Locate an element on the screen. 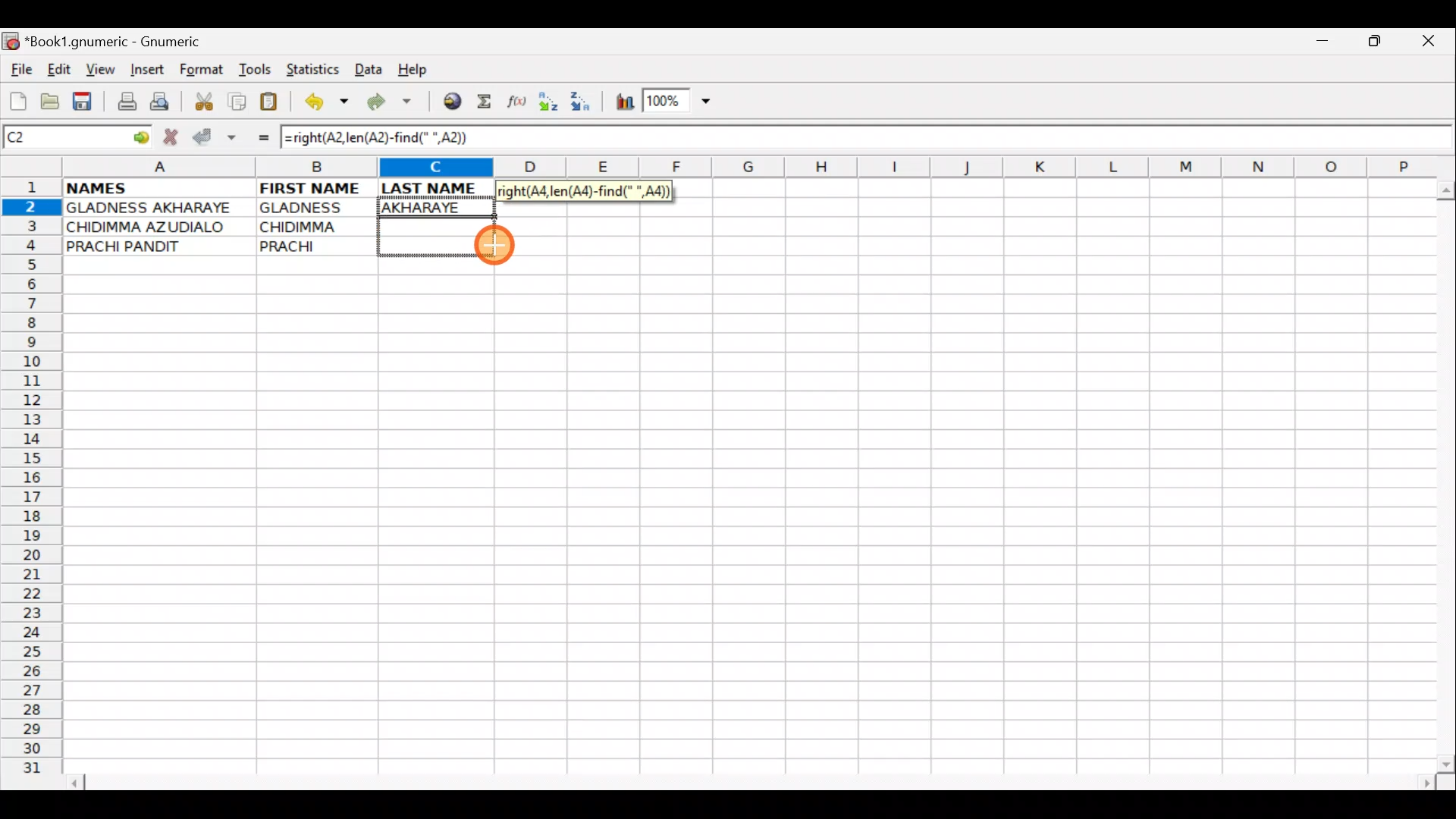 The image size is (1456, 819). Minimize is located at coordinates (1319, 45).